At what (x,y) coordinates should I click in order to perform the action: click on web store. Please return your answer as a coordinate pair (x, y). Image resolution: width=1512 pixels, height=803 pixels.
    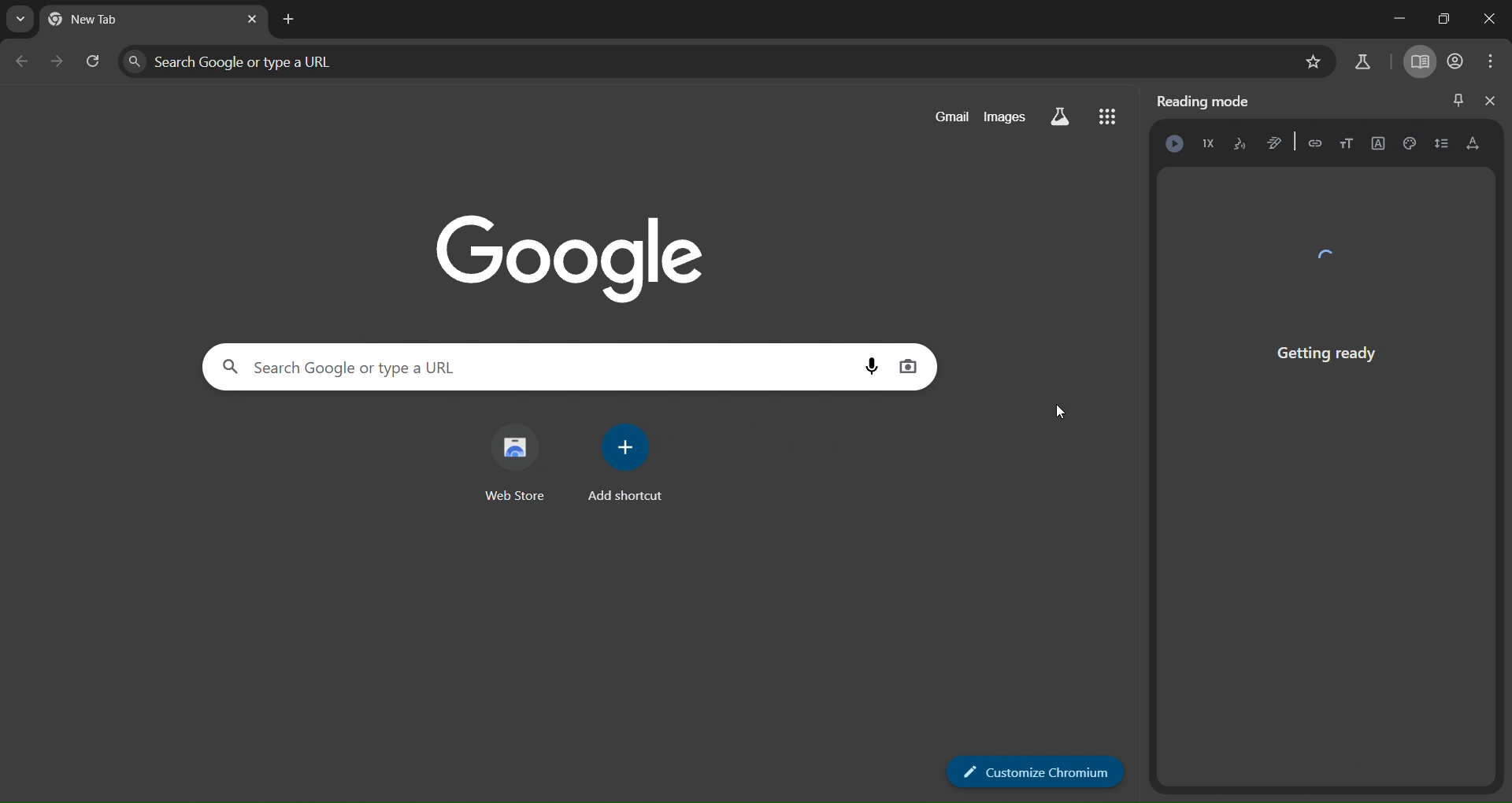
    Looking at the image, I should click on (512, 466).